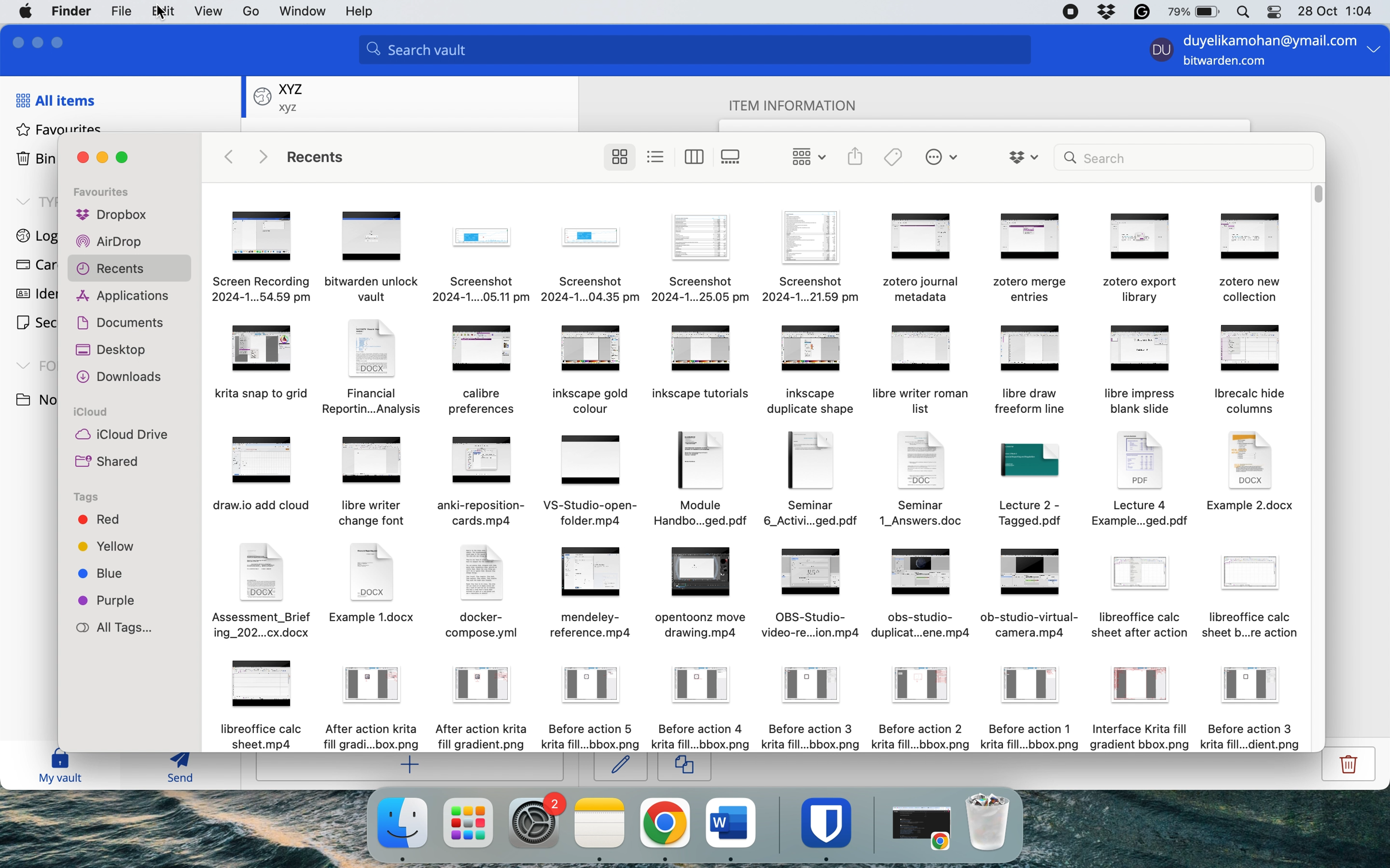 The height and width of the screenshot is (868, 1390). Describe the element at coordinates (620, 766) in the screenshot. I see `edit` at that location.